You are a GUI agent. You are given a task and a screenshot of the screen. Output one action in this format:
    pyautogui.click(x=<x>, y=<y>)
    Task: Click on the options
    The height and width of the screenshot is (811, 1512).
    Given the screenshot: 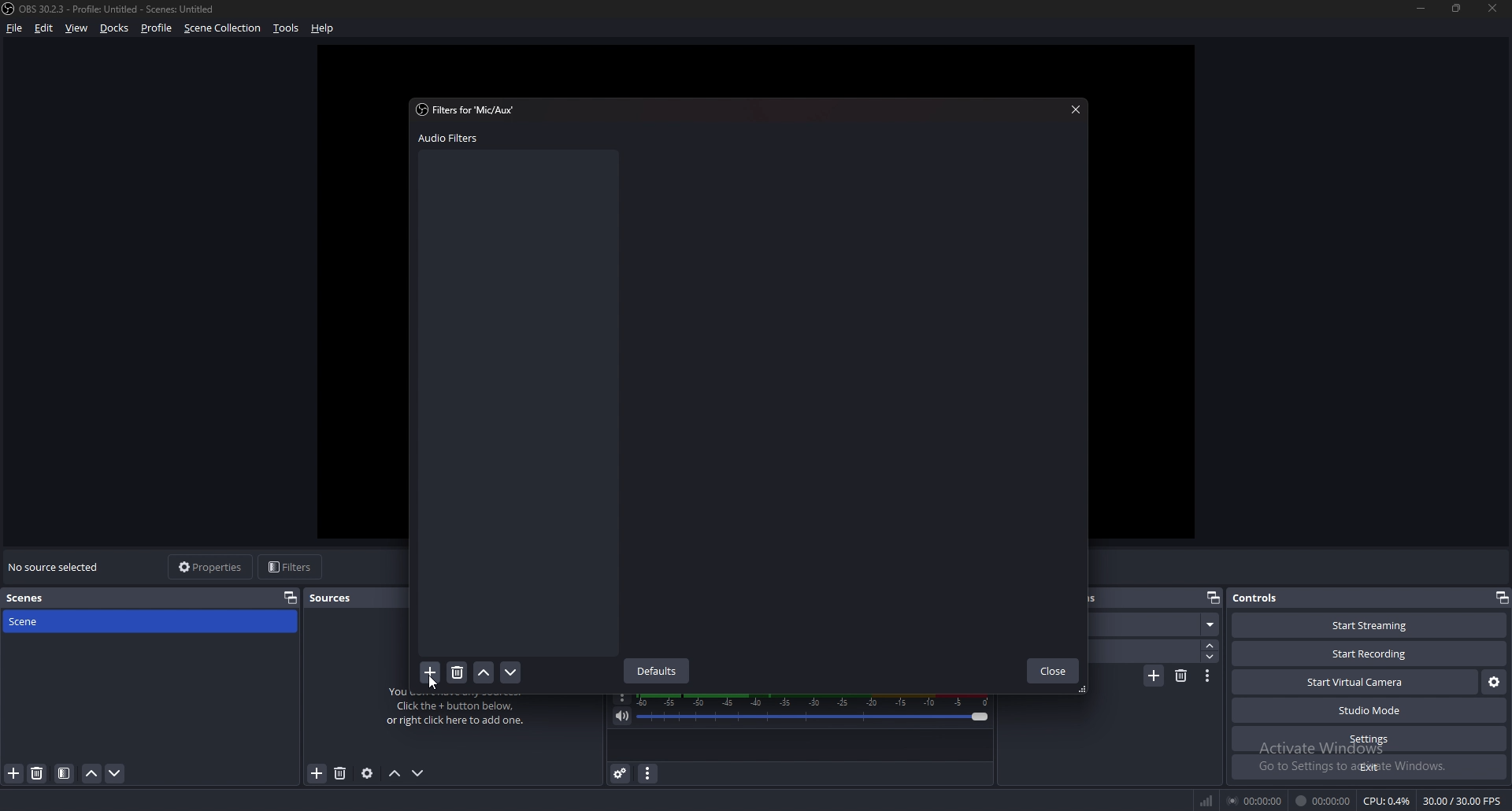 What is the action you would take?
    pyautogui.click(x=623, y=698)
    